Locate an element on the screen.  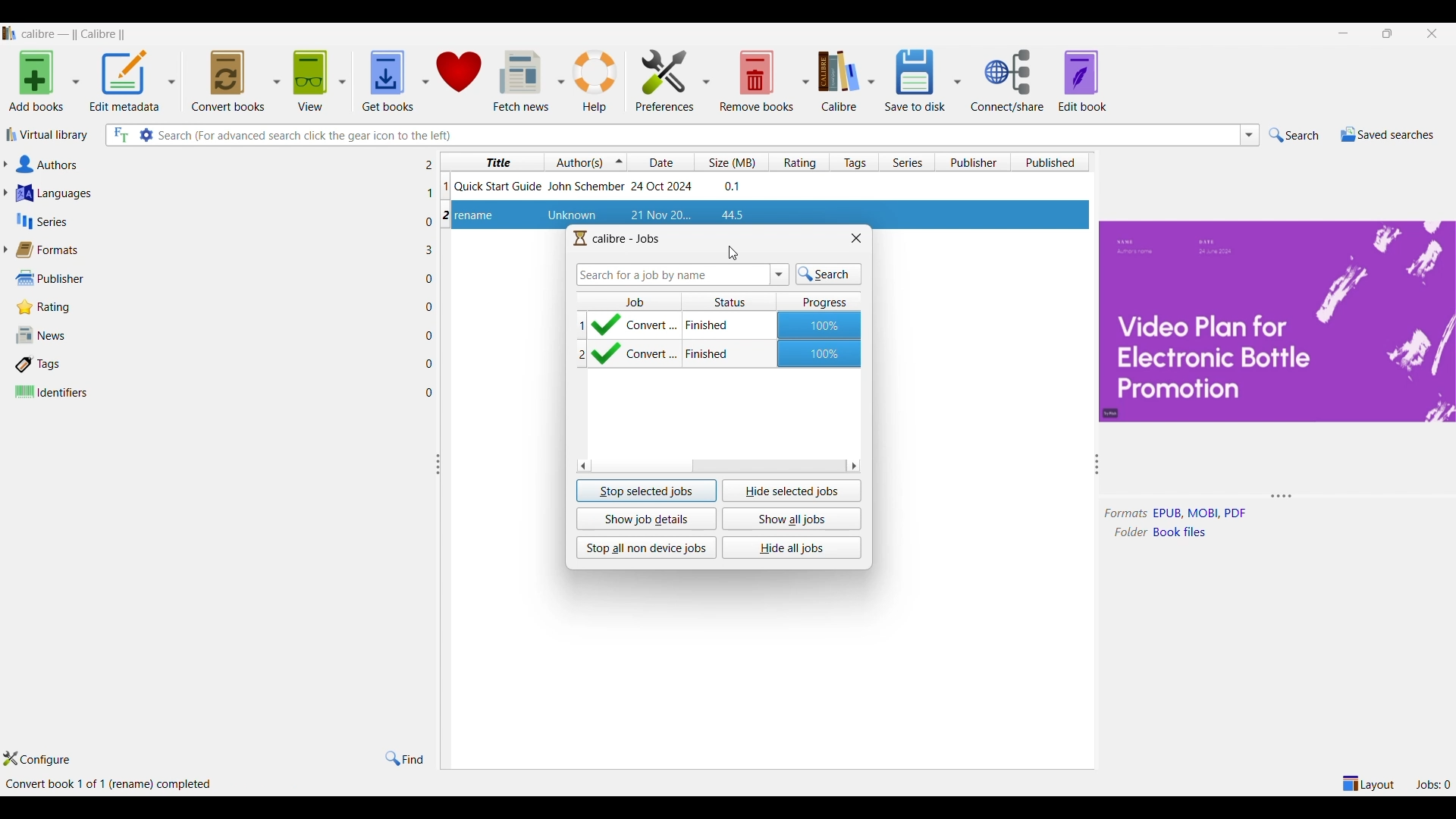
View is located at coordinates (310, 81).